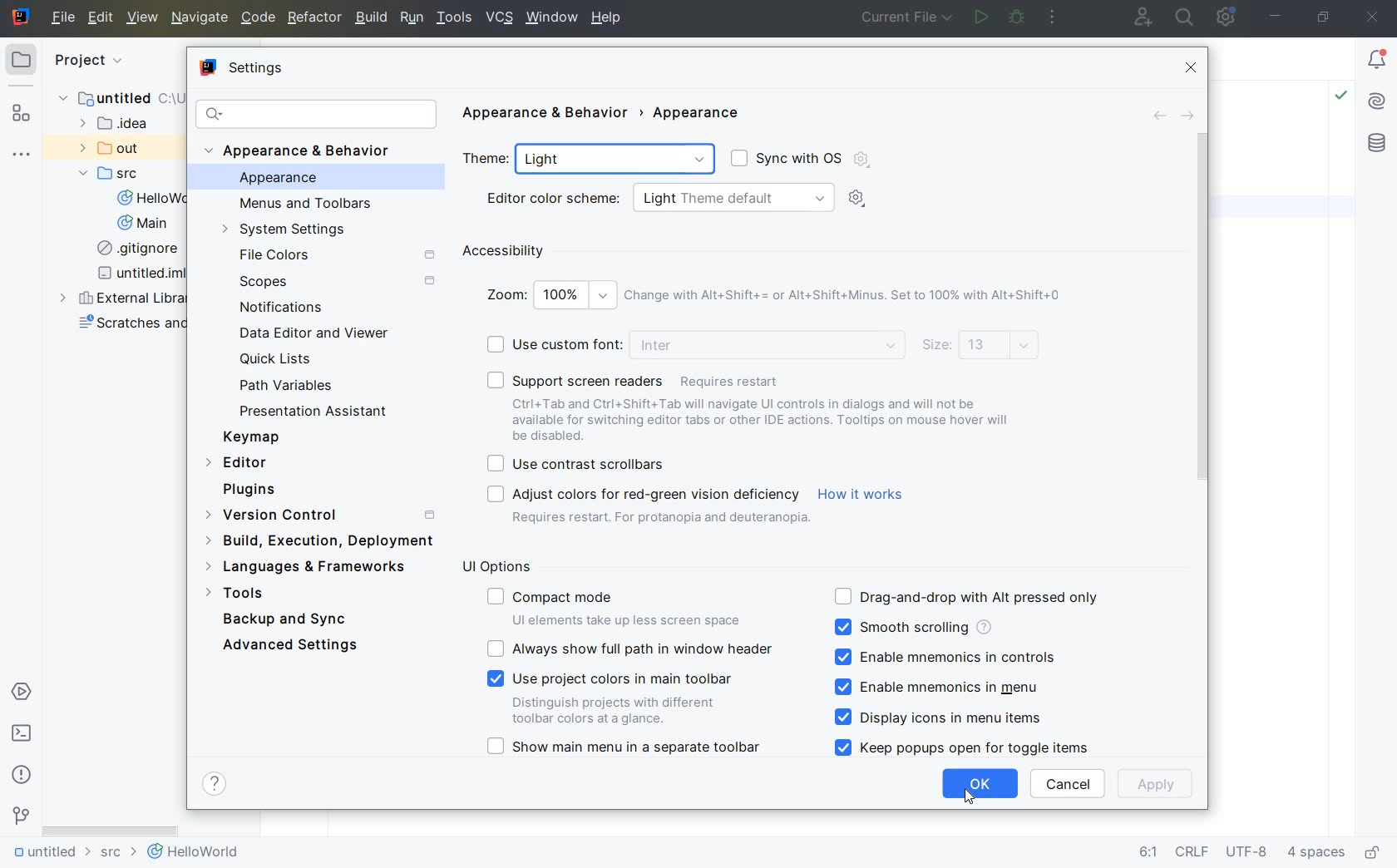 Image resolution: width=1397 pixels, height=868 pixels. Describe the element at coordinates (581, 462) in the screenshot. I see `USE CONTRAST SCROLLBARS` at that location.